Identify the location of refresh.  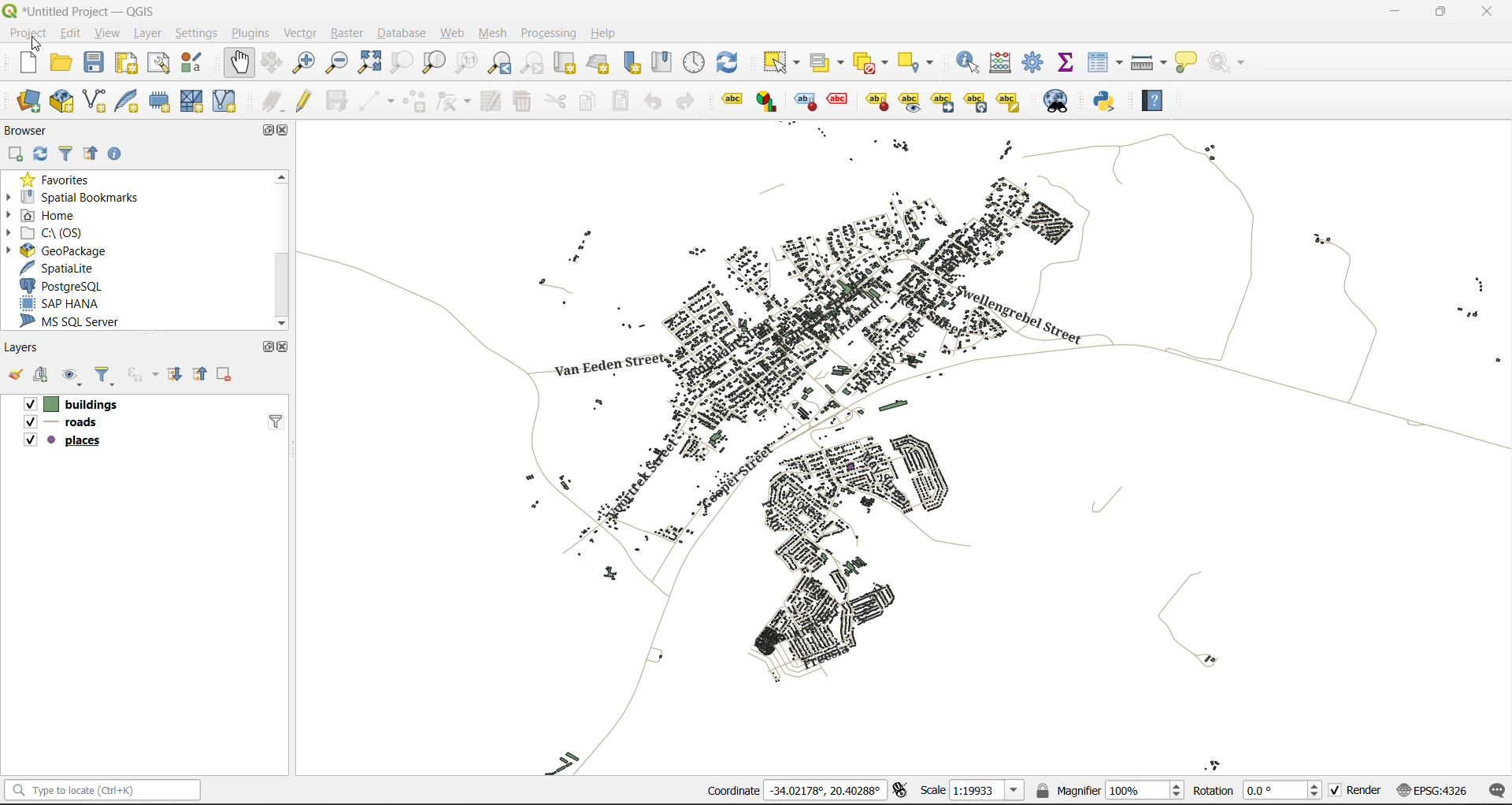
(42, 158).